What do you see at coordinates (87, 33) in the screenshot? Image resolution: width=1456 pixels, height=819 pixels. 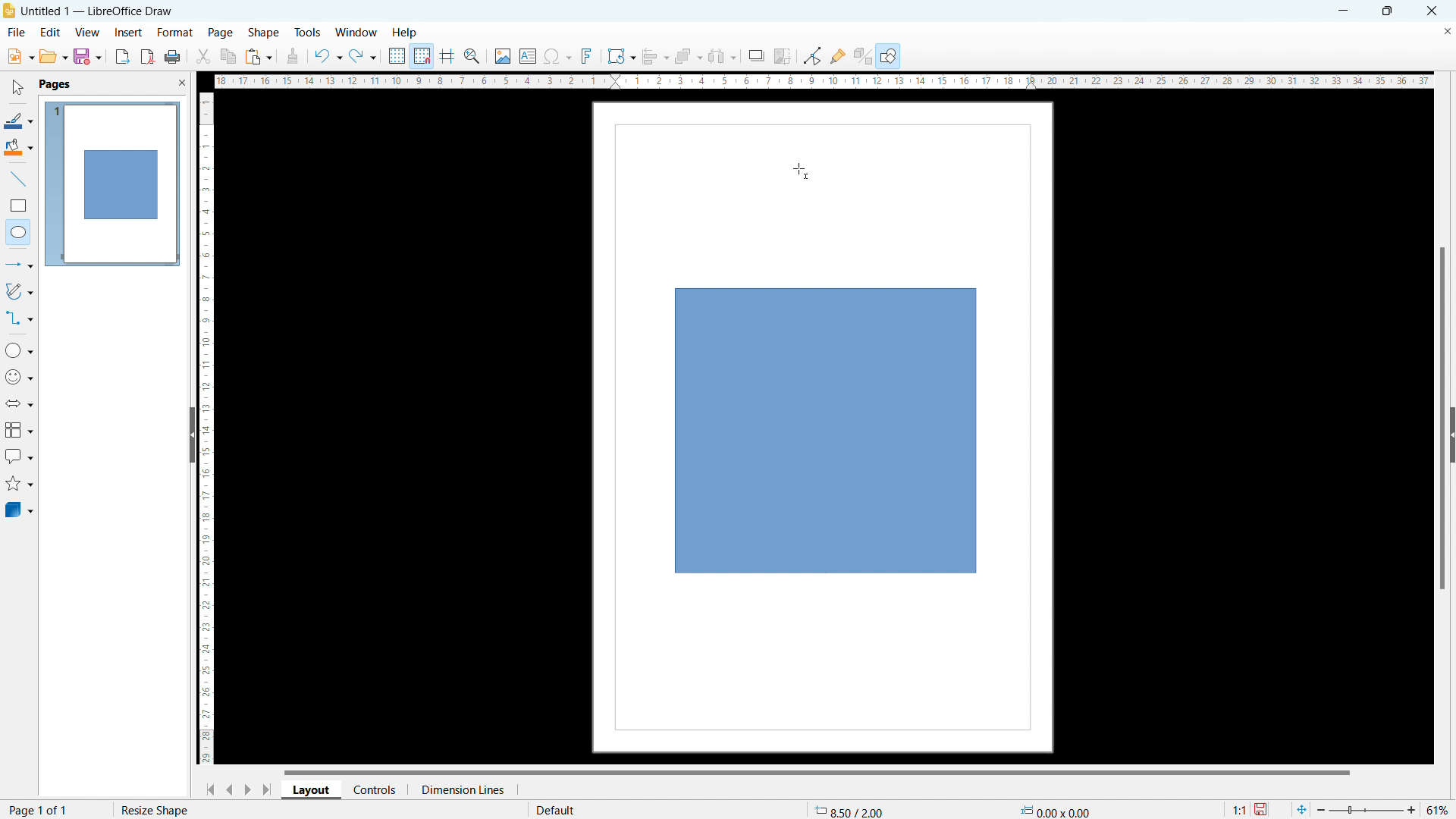 I see `view` at bounding box center [87, 33].